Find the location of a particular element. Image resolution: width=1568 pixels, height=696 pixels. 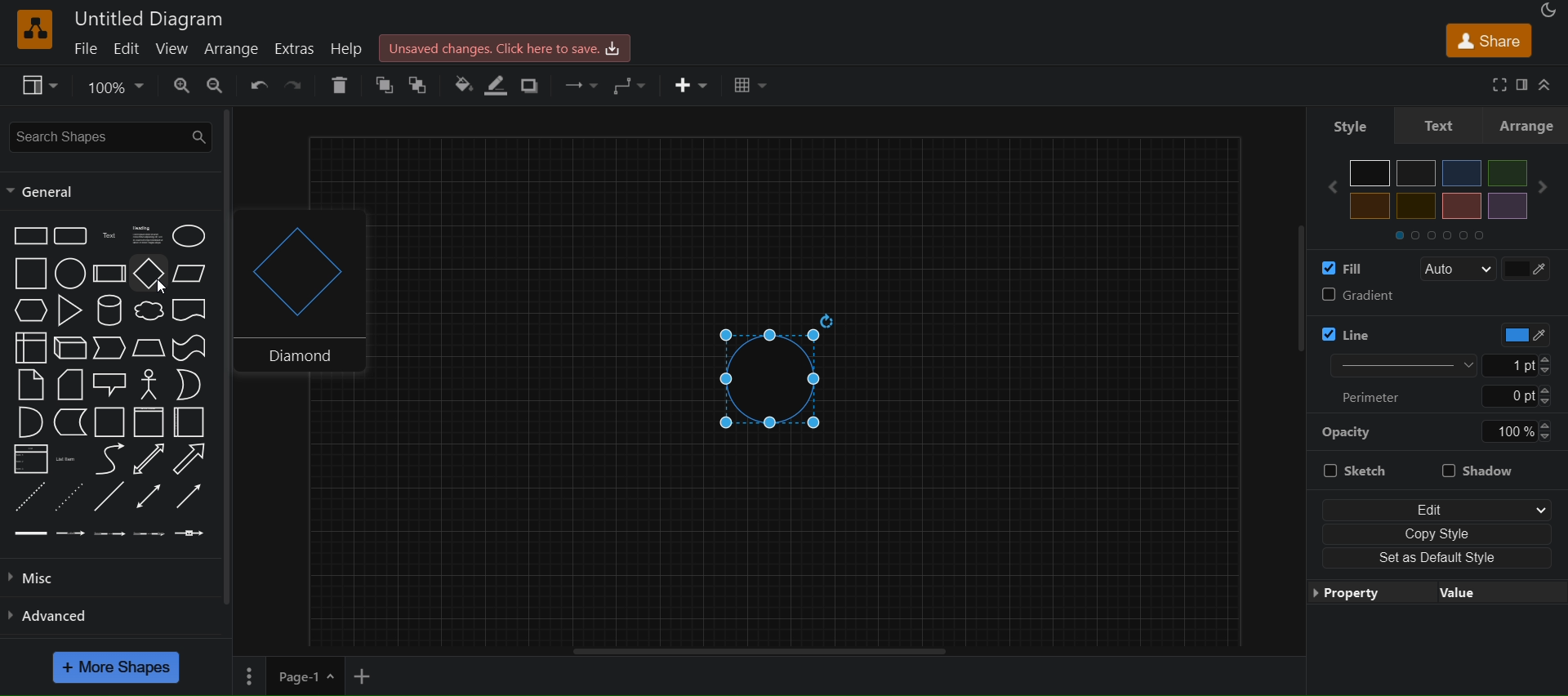

auto is located at coordinates (1457, 270).